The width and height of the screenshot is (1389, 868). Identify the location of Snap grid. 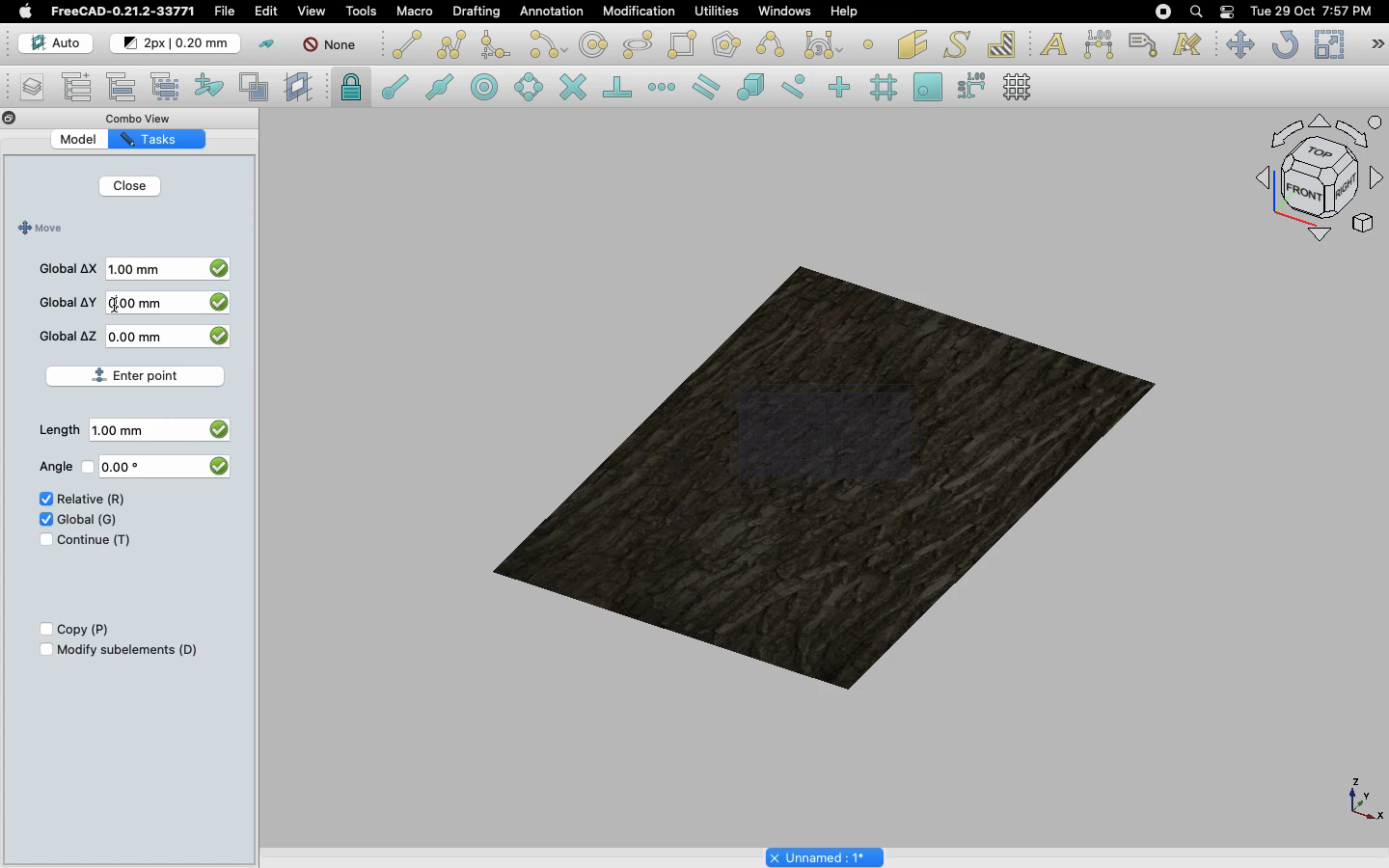
(885, 88).